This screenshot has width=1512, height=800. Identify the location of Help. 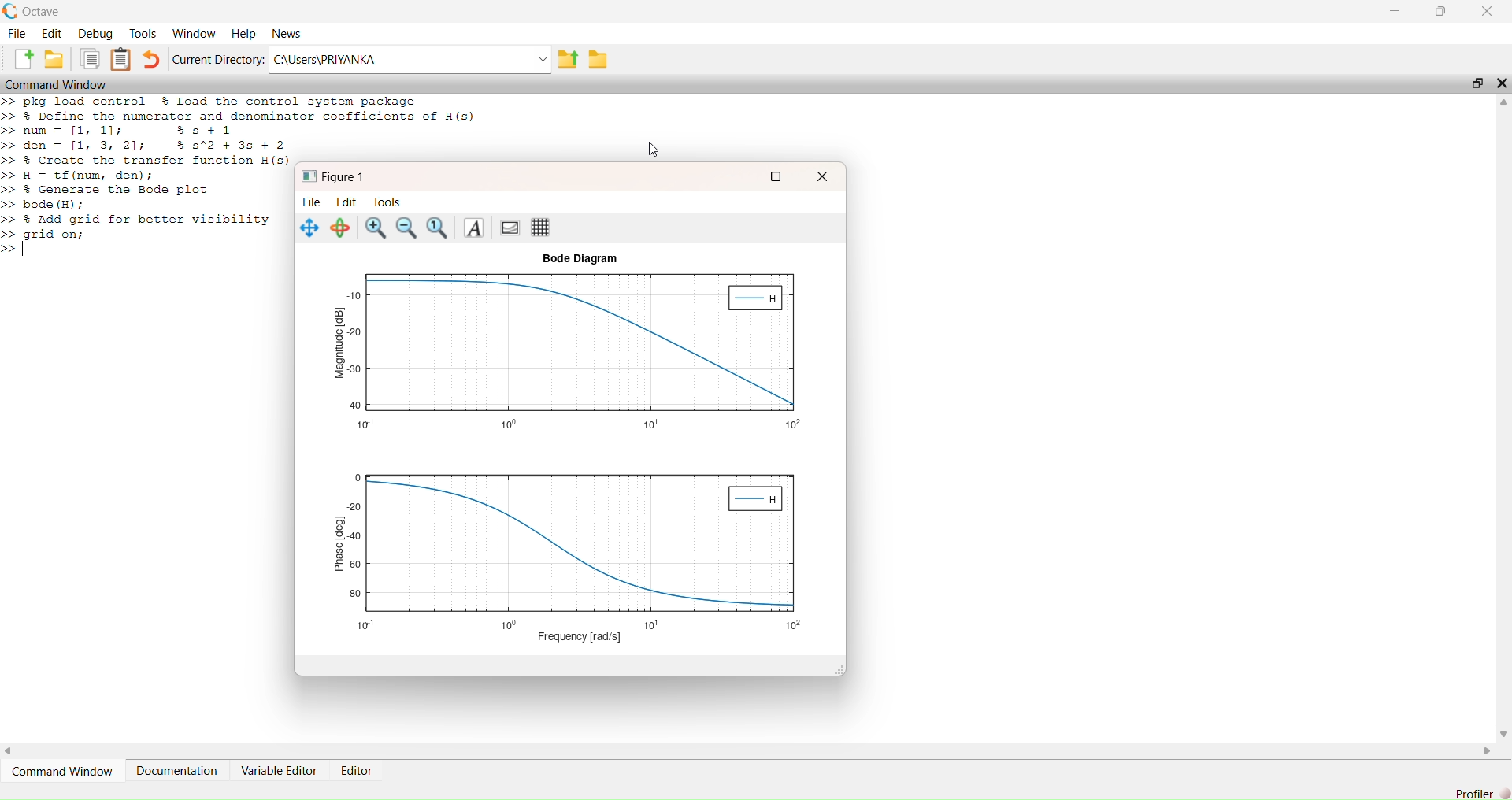
(243, 33).